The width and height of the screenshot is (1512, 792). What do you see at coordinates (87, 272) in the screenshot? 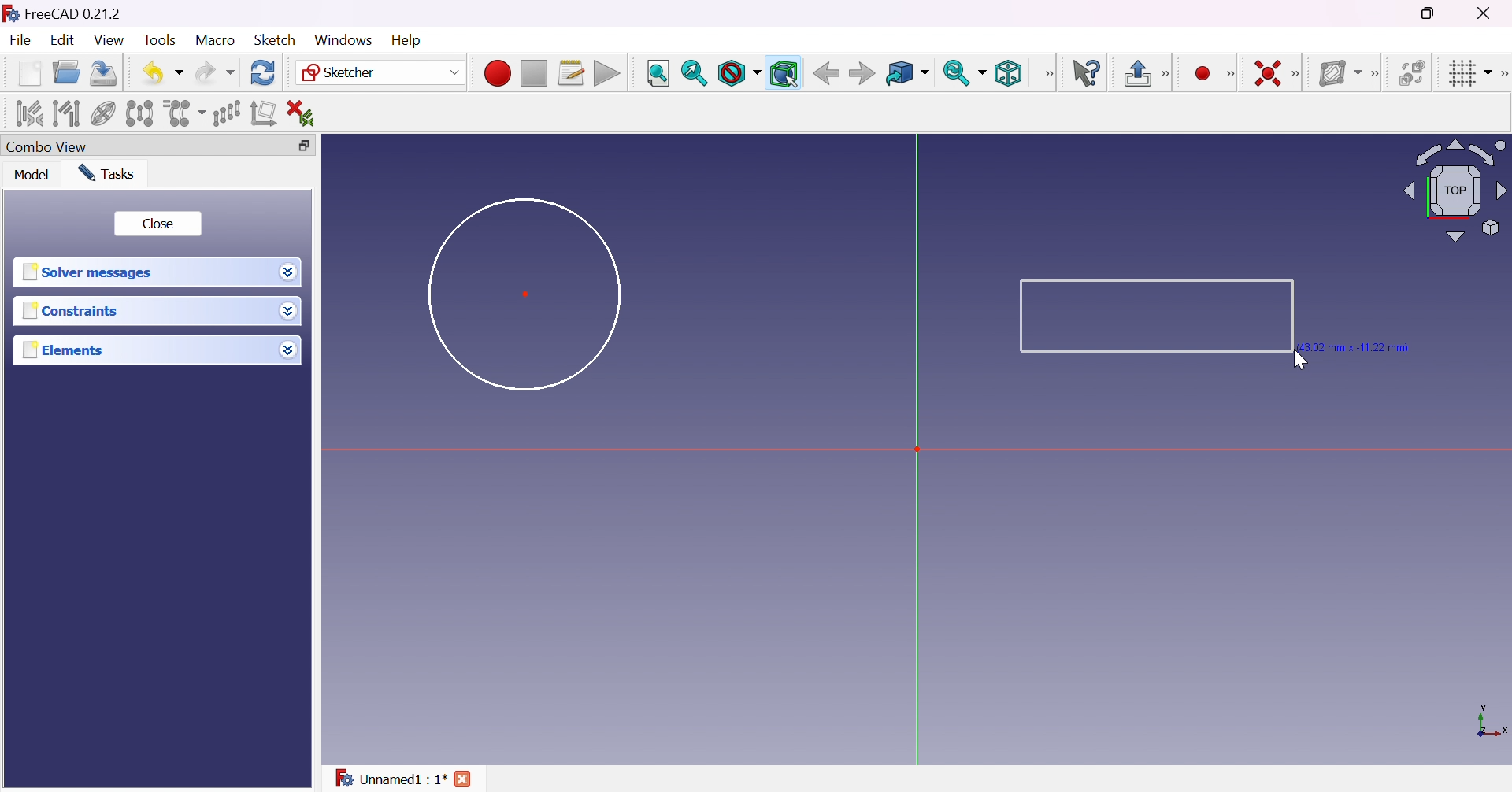
I see `Solver messages` at bounding box center [87, 272].